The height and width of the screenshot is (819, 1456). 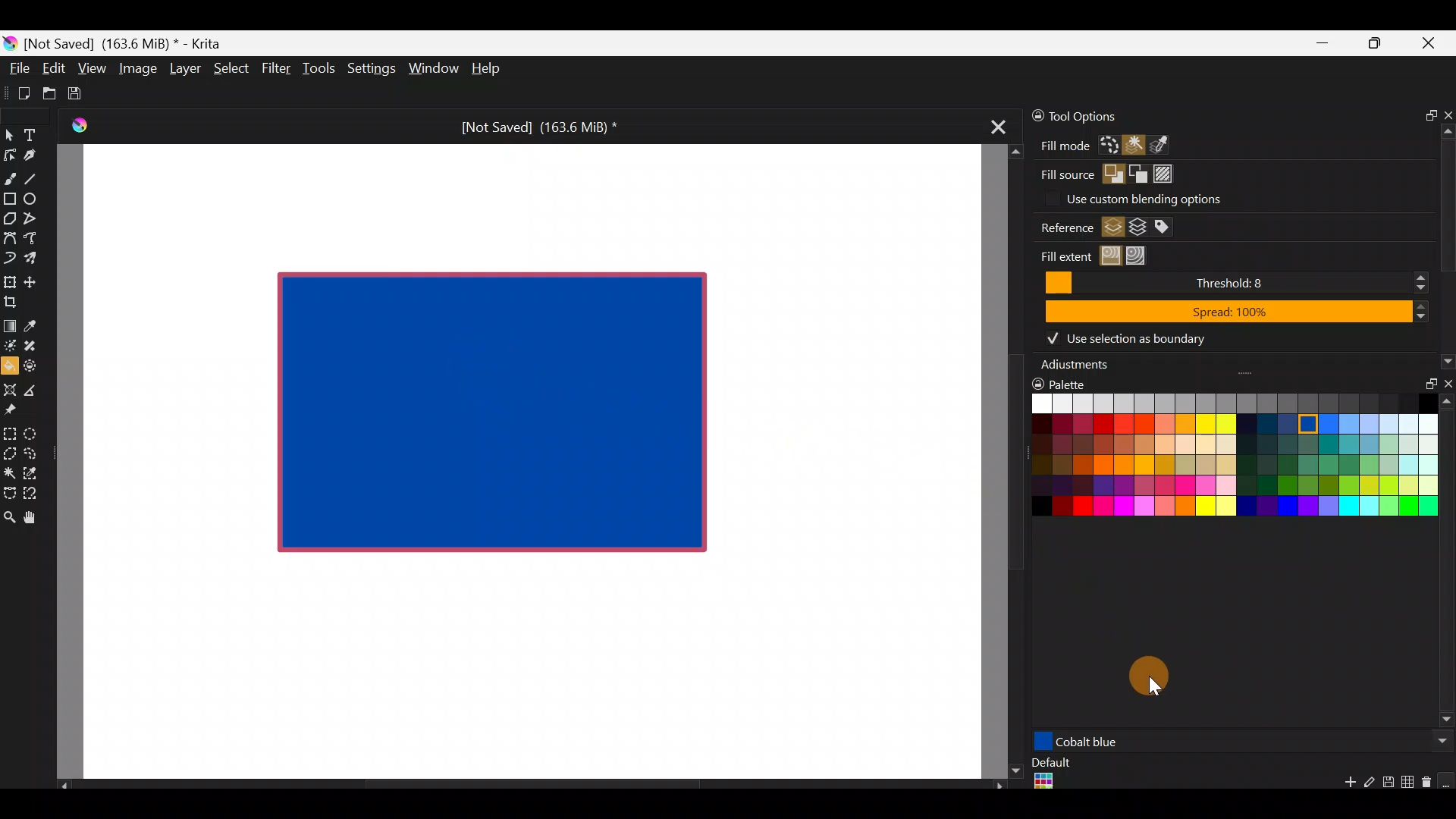 What do you see at coordinates (91, 66) in the screenshot?
I see `View` at bounding box center [91, 66].